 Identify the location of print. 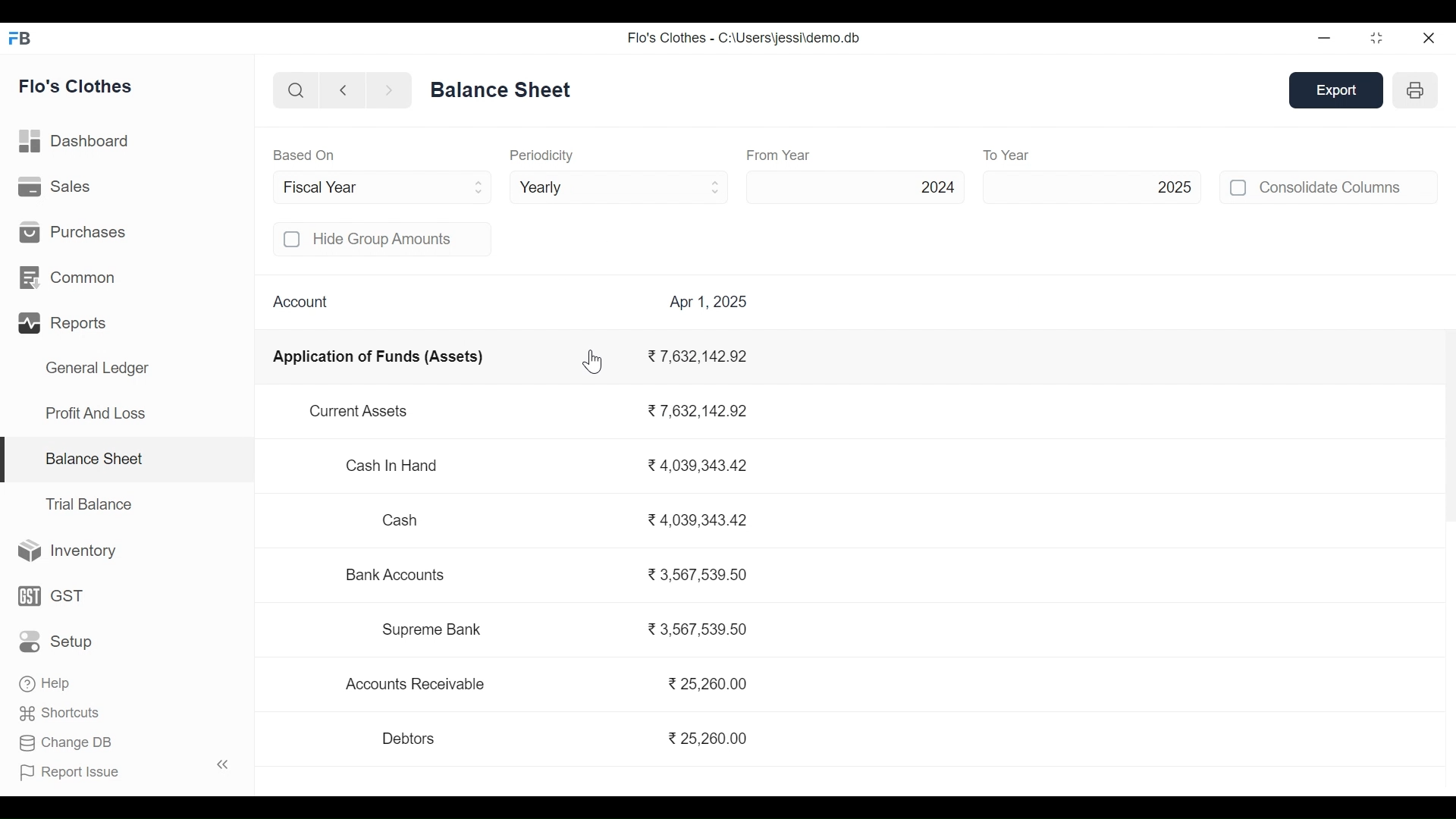
(1417, 89).